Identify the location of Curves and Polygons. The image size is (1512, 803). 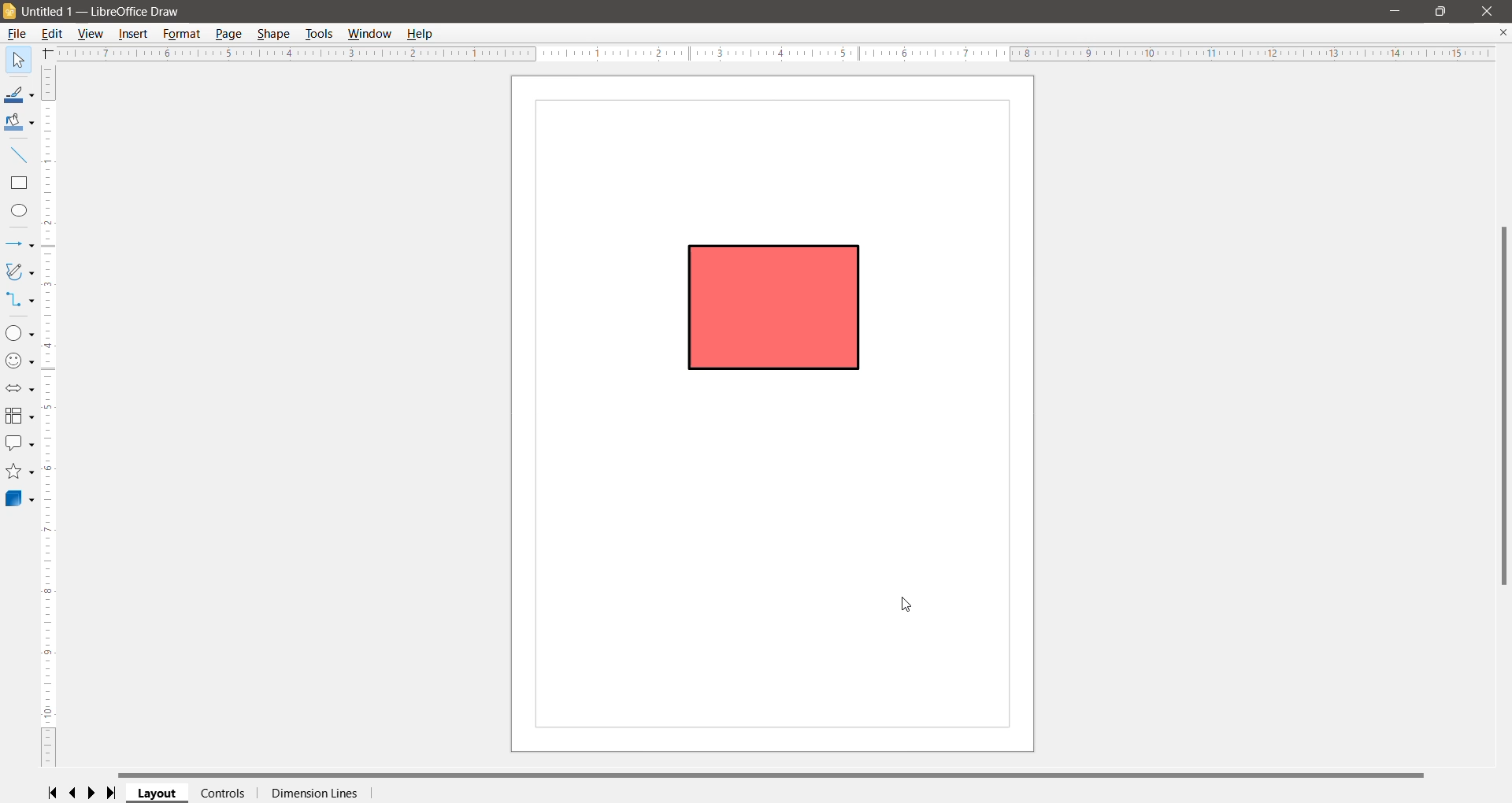
(19, 271).